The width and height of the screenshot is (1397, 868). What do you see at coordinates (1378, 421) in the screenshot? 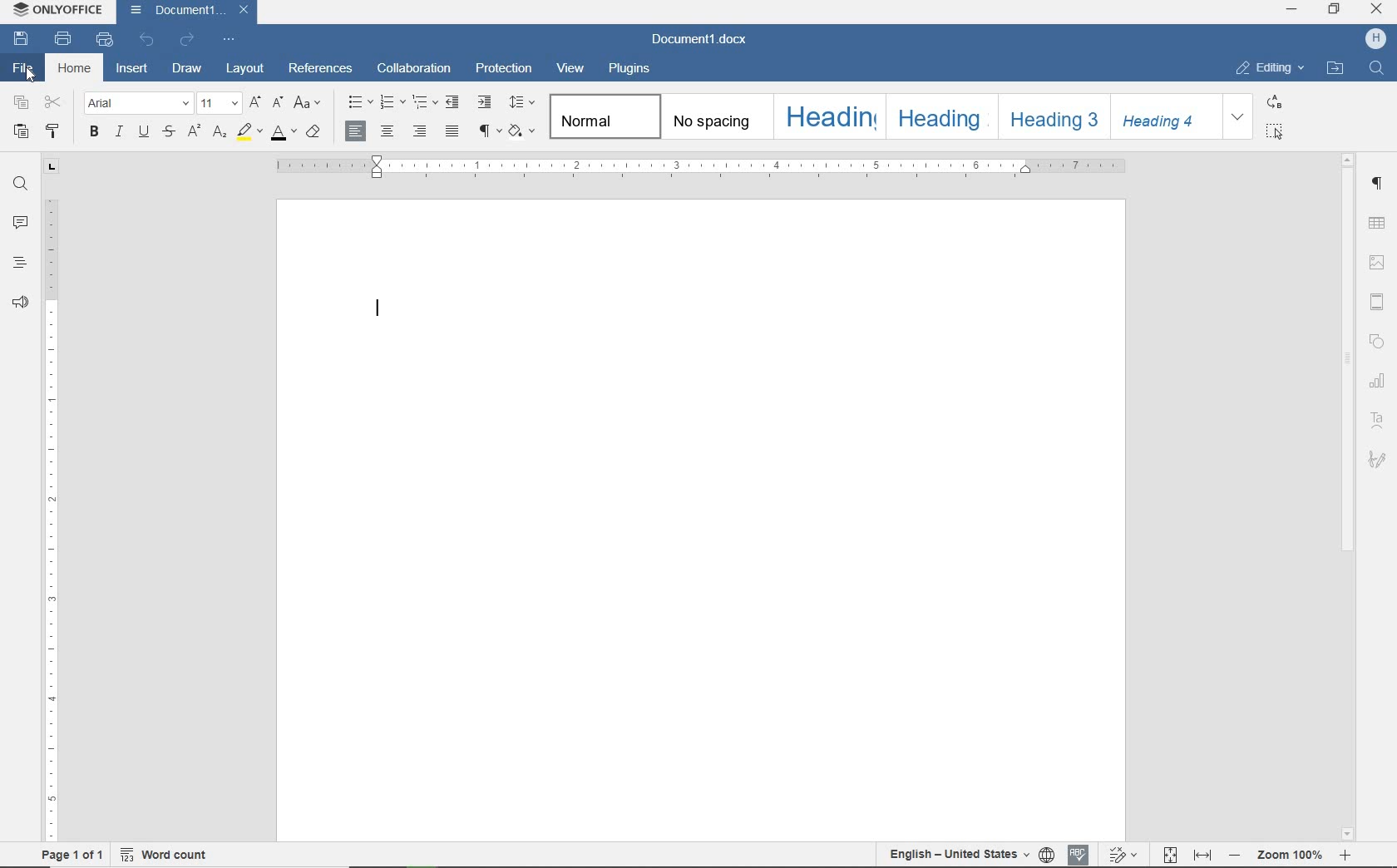
I see `text art` at bounding box center [1378, 421].